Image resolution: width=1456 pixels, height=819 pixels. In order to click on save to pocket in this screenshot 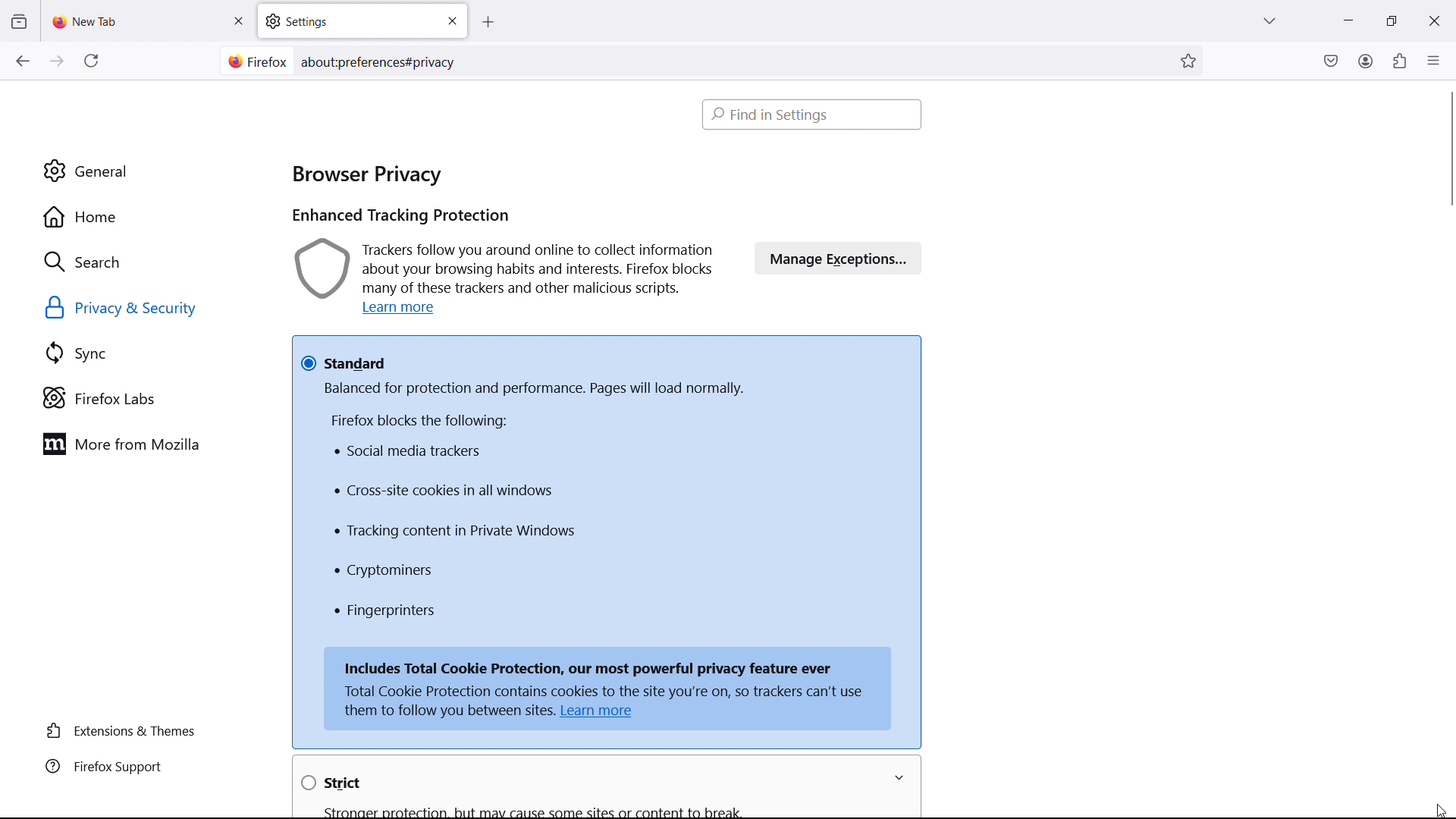, I will do `click(1331, 60)`.